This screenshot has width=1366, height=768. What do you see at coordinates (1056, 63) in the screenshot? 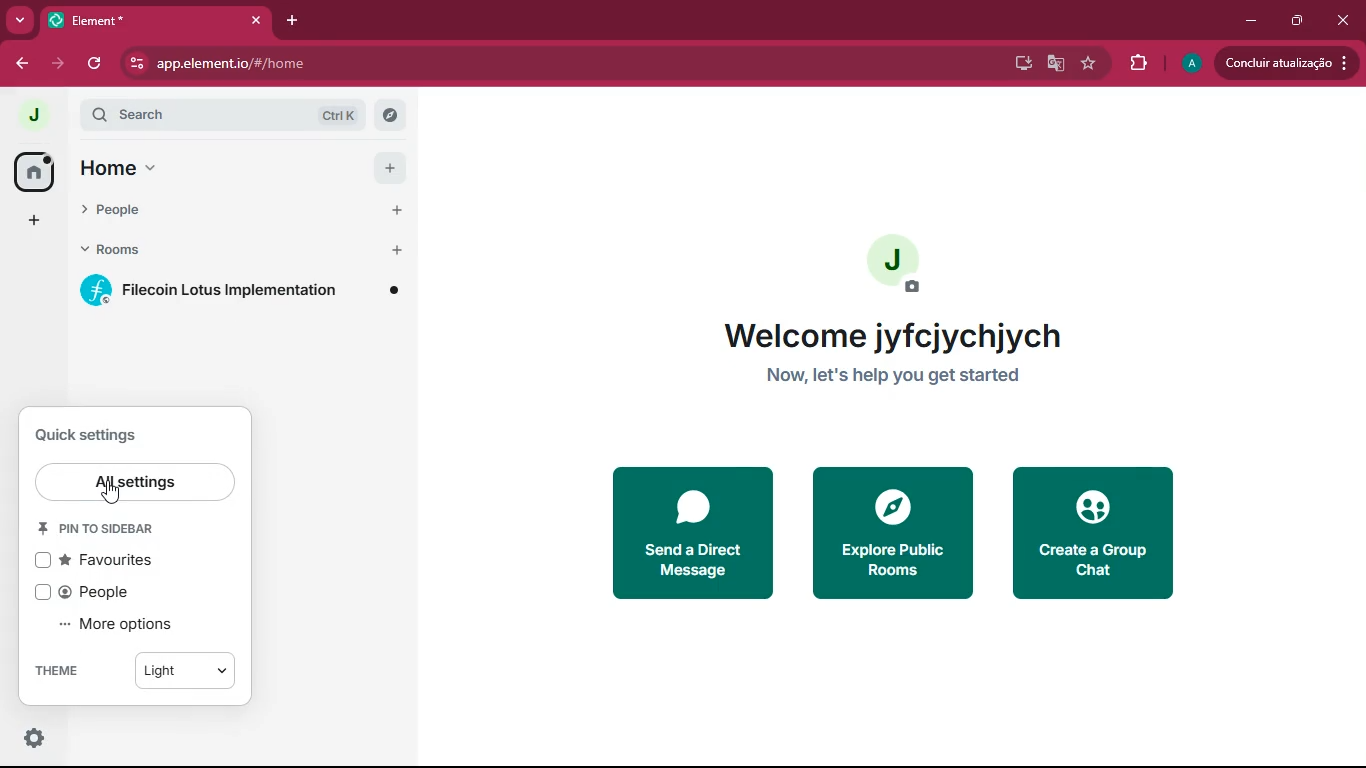
I see `google translate` at bounding box center [1056, 63].